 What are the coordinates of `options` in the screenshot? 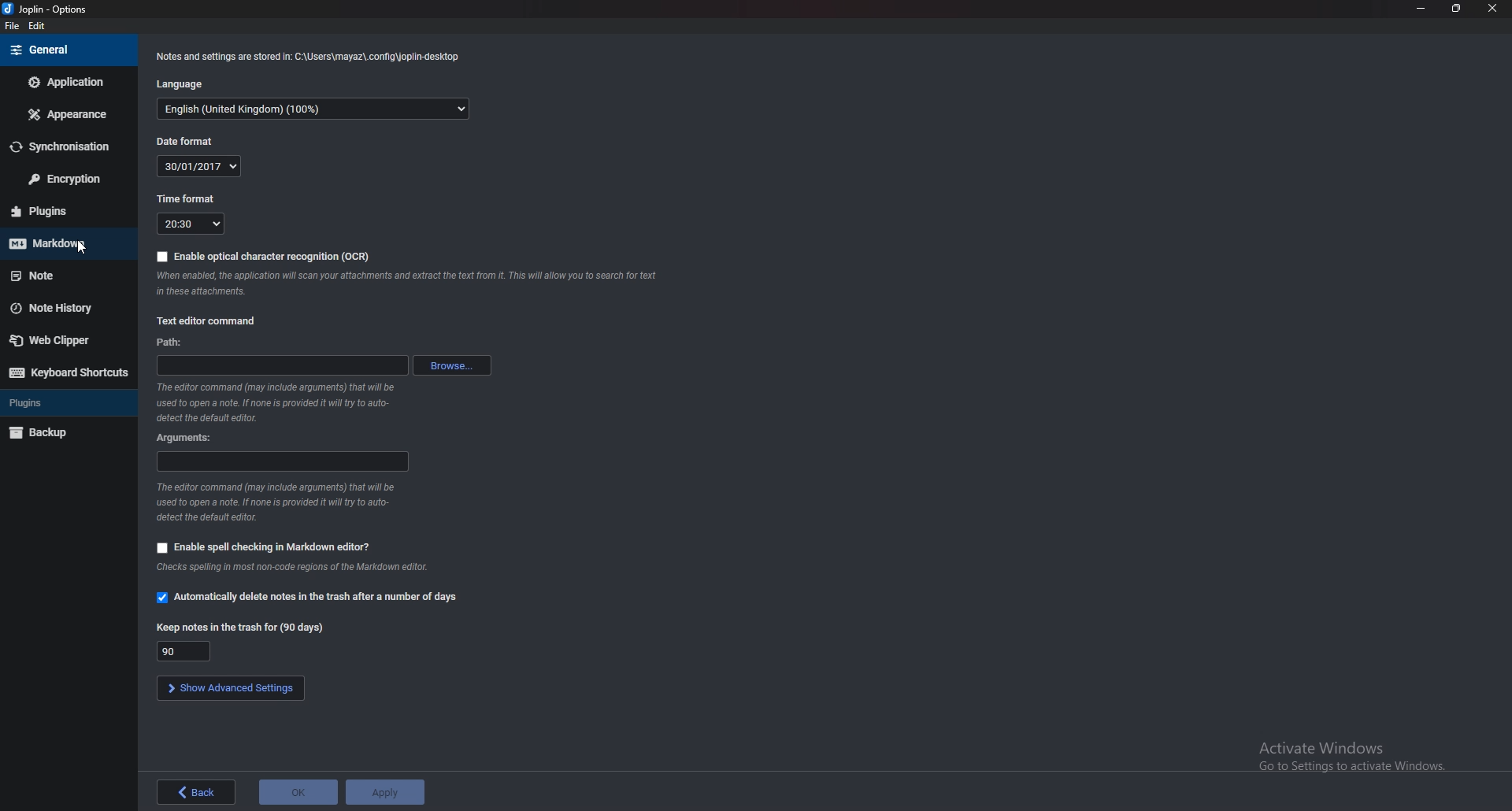 It's located at (46, 8).